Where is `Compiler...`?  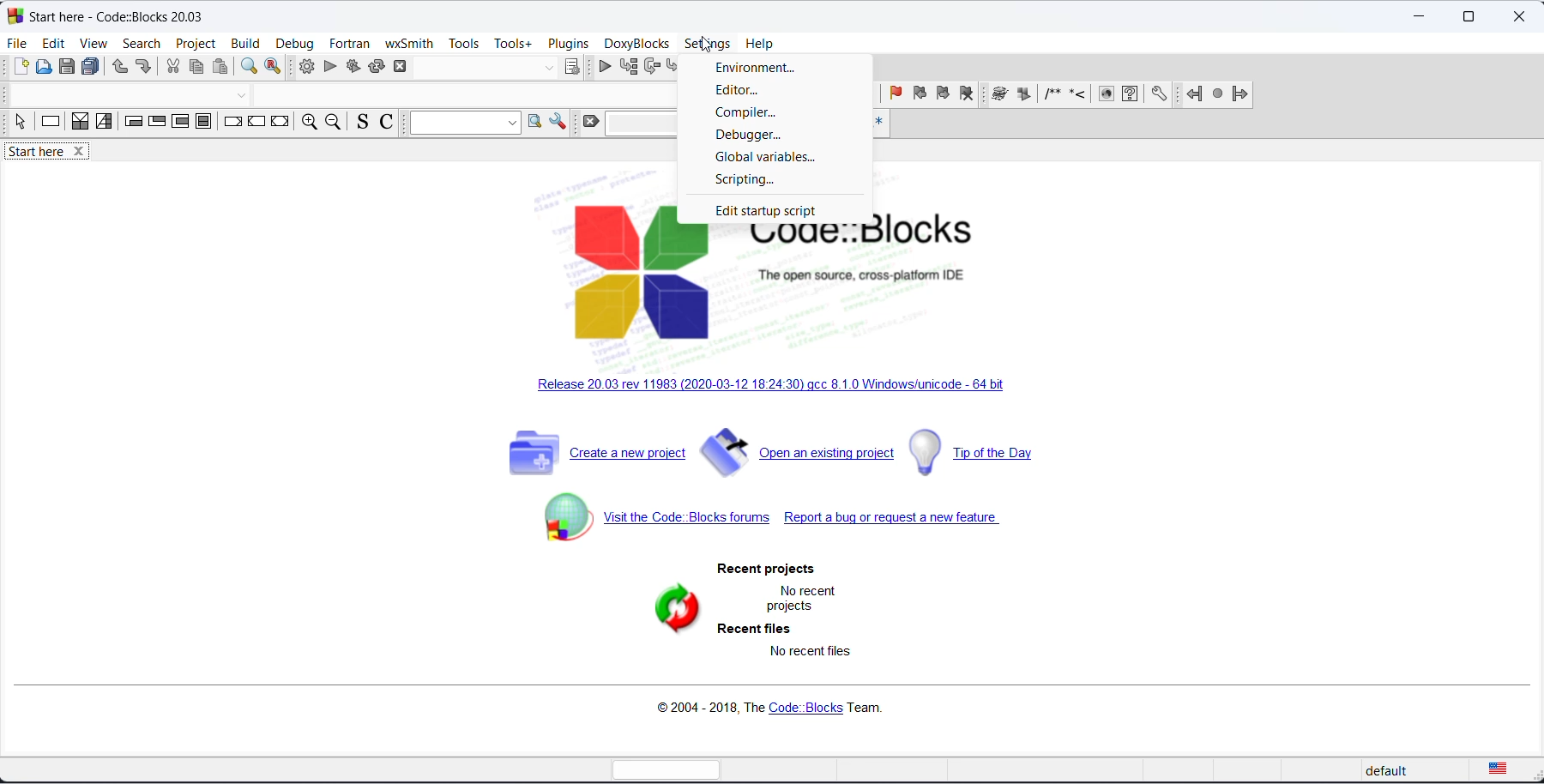
Compiler... is located at coordinates (752, 113).